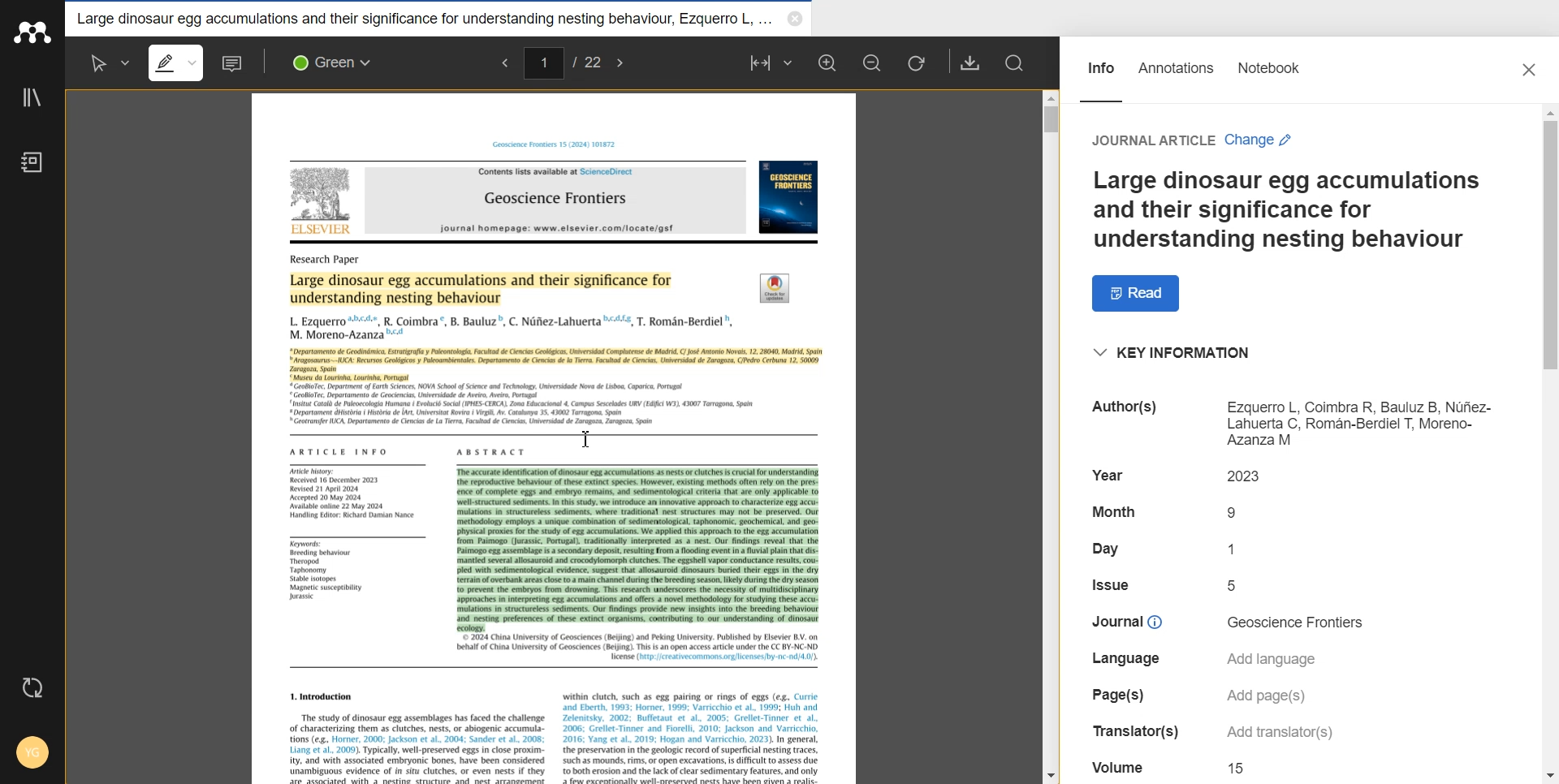 The width and height of the screenshot is (1559, 784). Describe the element at coordinates (1235, 585) in the screenshot. I see `text` at that location.